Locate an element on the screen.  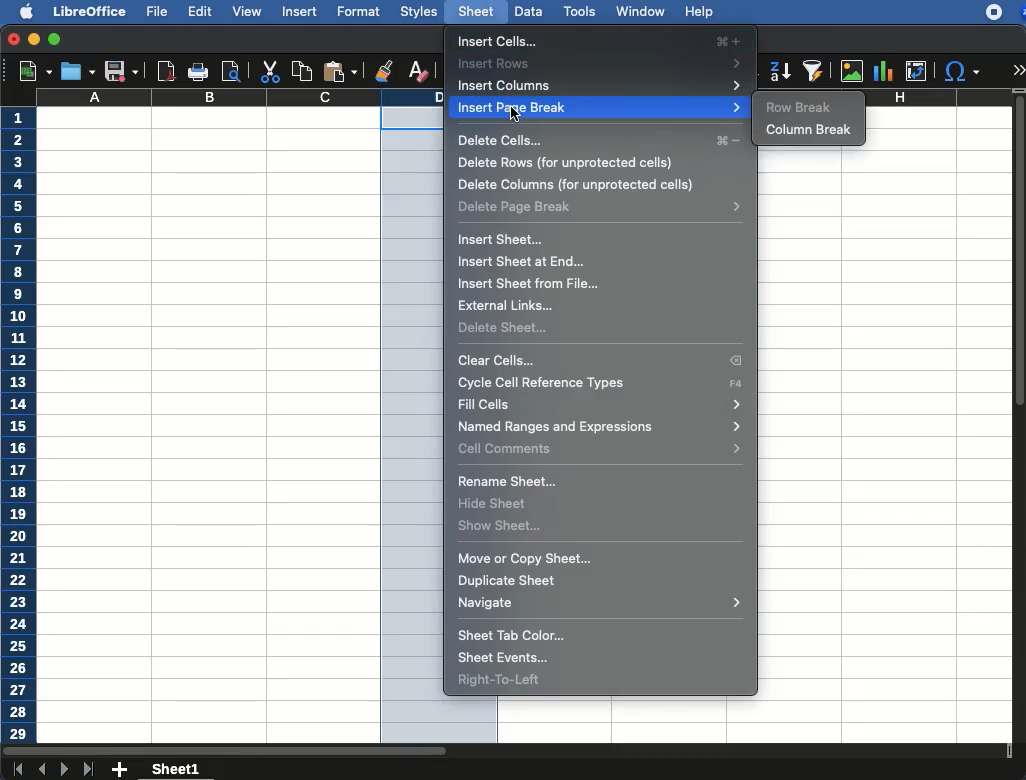
delete cells is located at coordinates (601, 142).